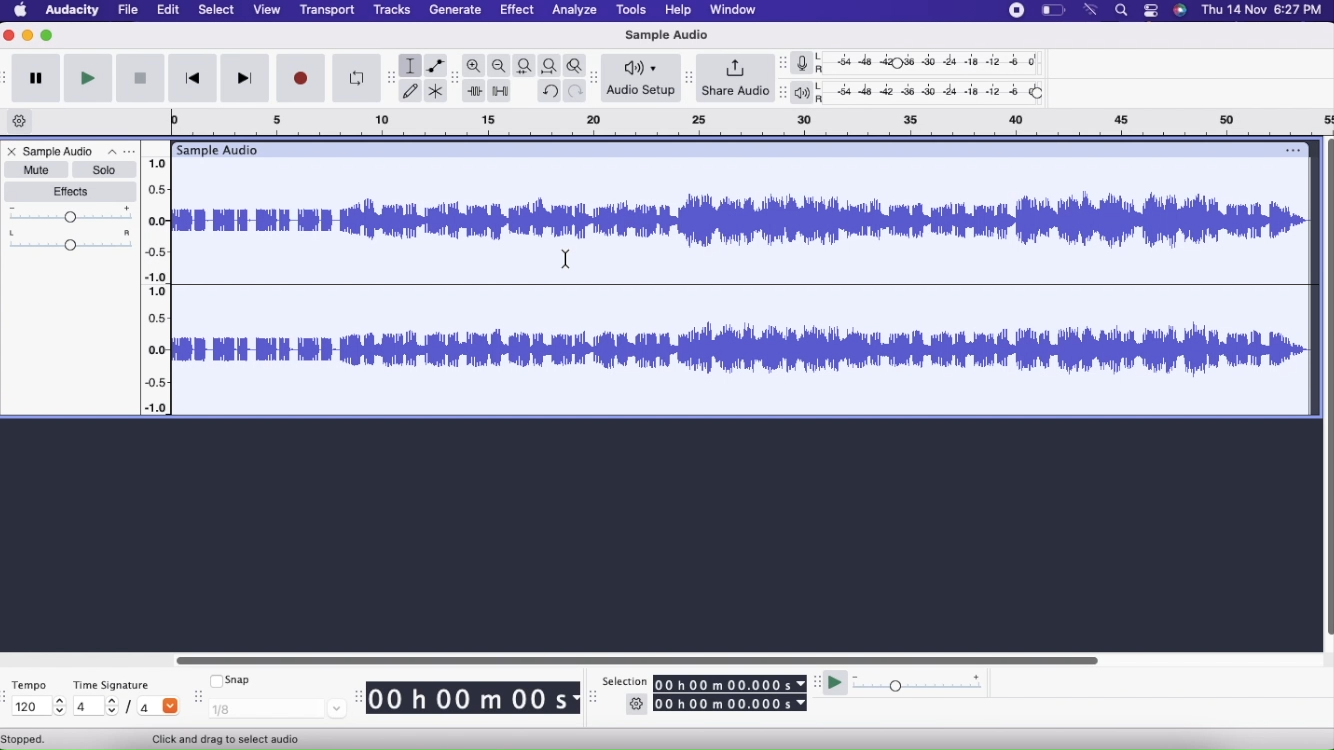  I want to click on Maximize, so click(48, 37).